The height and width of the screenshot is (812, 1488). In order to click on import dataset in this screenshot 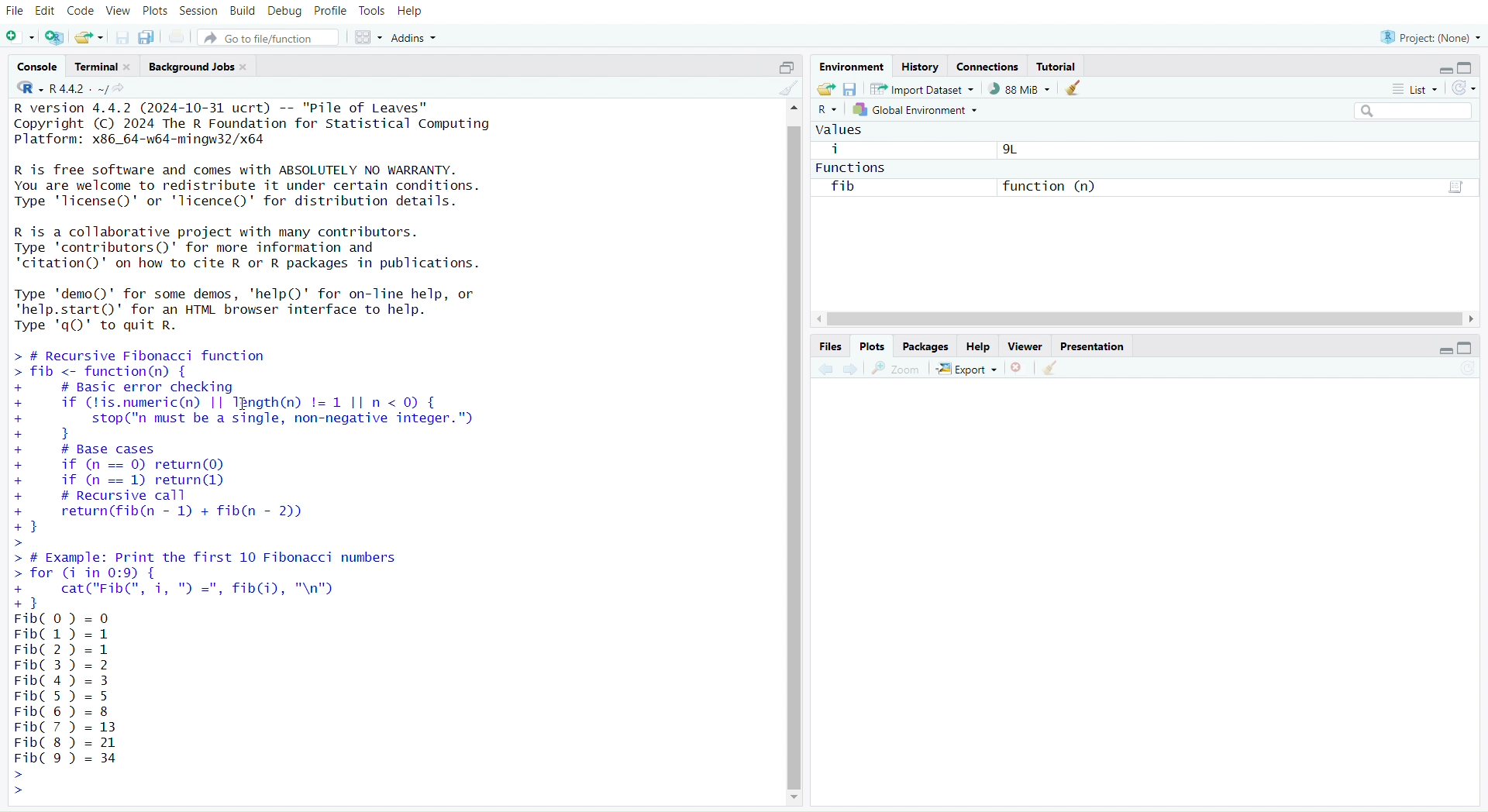, I will do `click(923, 89)`.